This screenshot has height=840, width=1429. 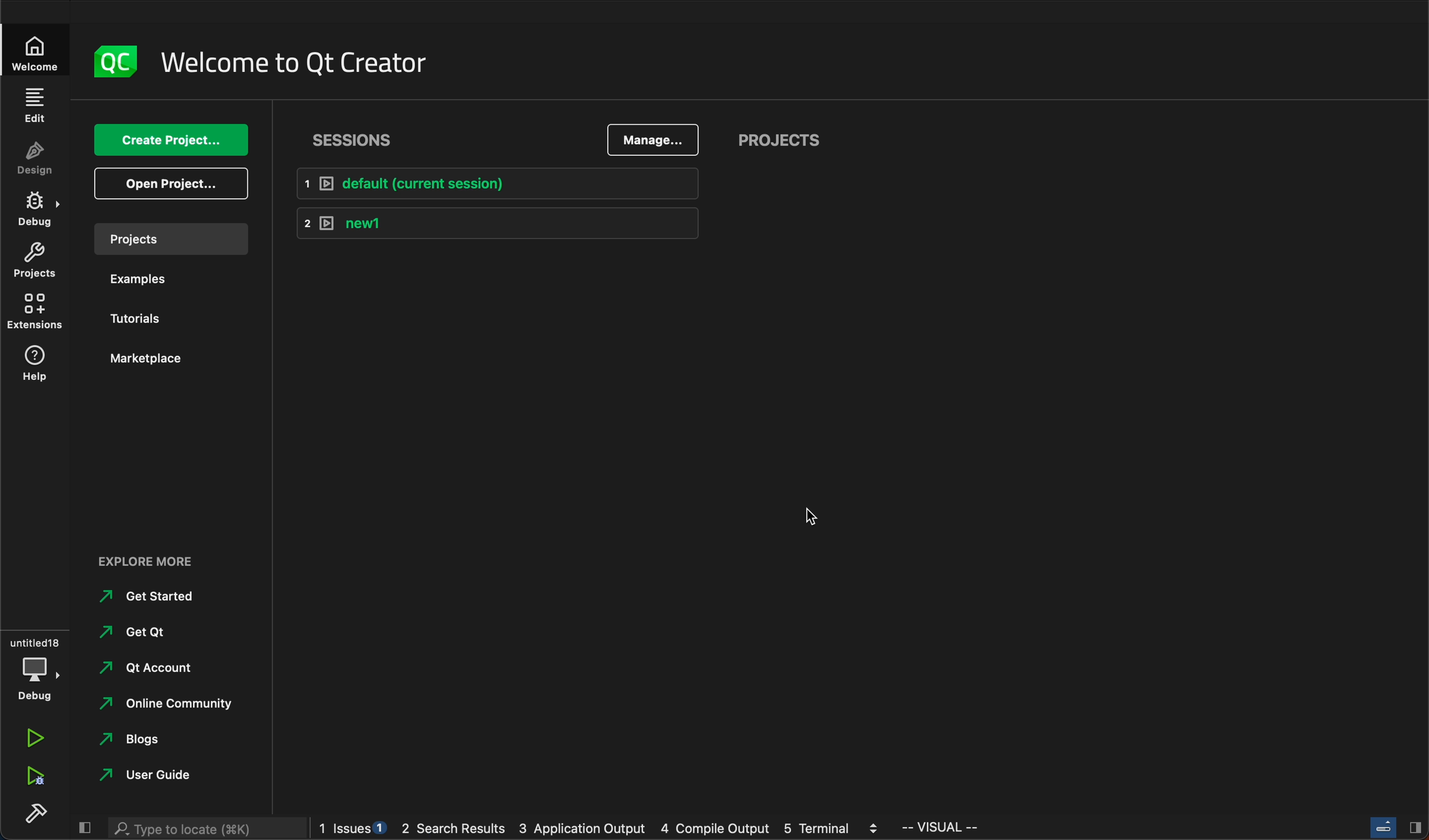 I want to click on run, so click(x=30, y=740).